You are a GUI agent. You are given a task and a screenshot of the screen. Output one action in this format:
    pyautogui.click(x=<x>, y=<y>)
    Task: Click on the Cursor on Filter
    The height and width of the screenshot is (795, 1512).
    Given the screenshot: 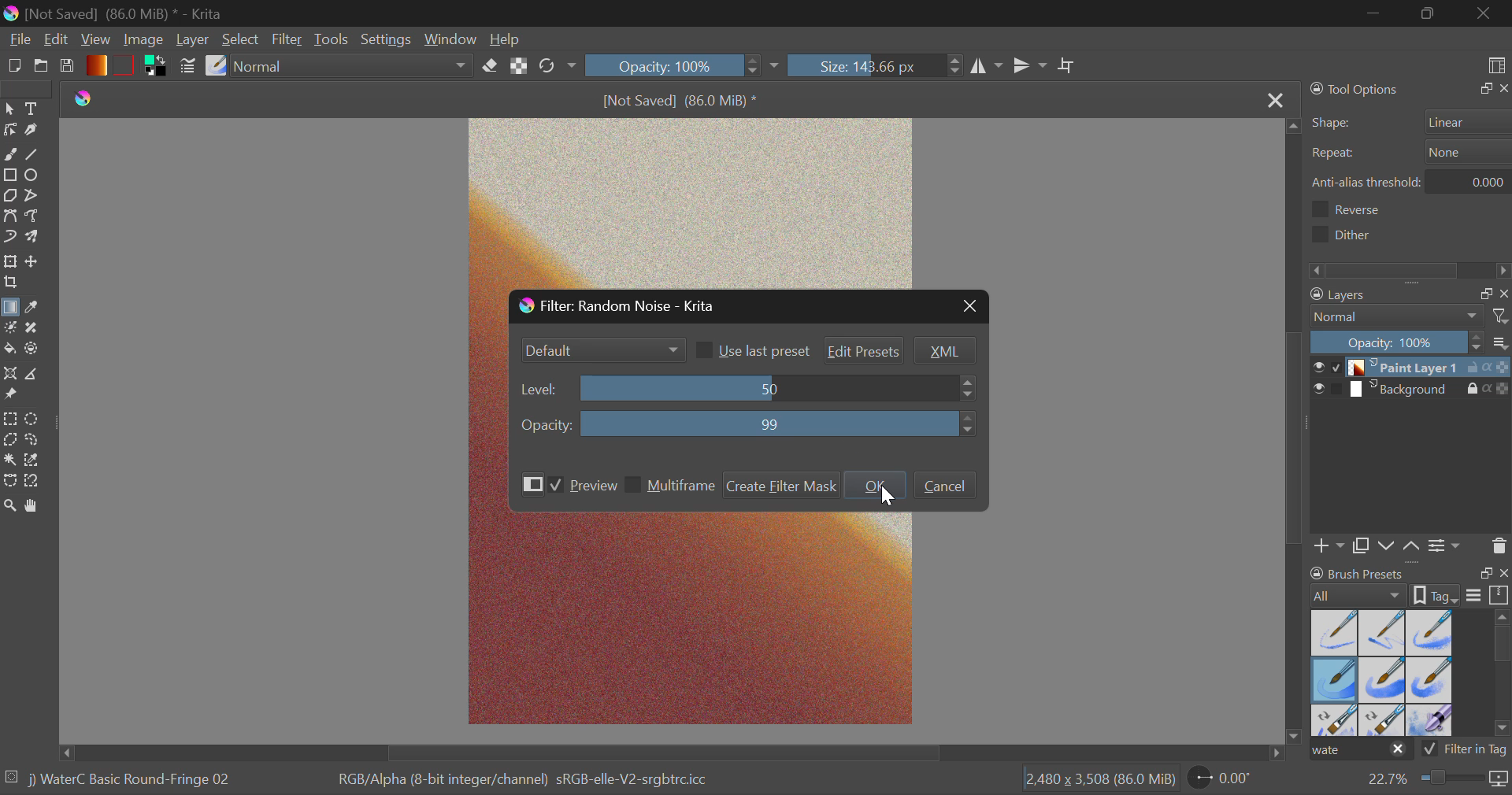 What is the action you would take?
    pyautogui.click(x=287, y=39)
    